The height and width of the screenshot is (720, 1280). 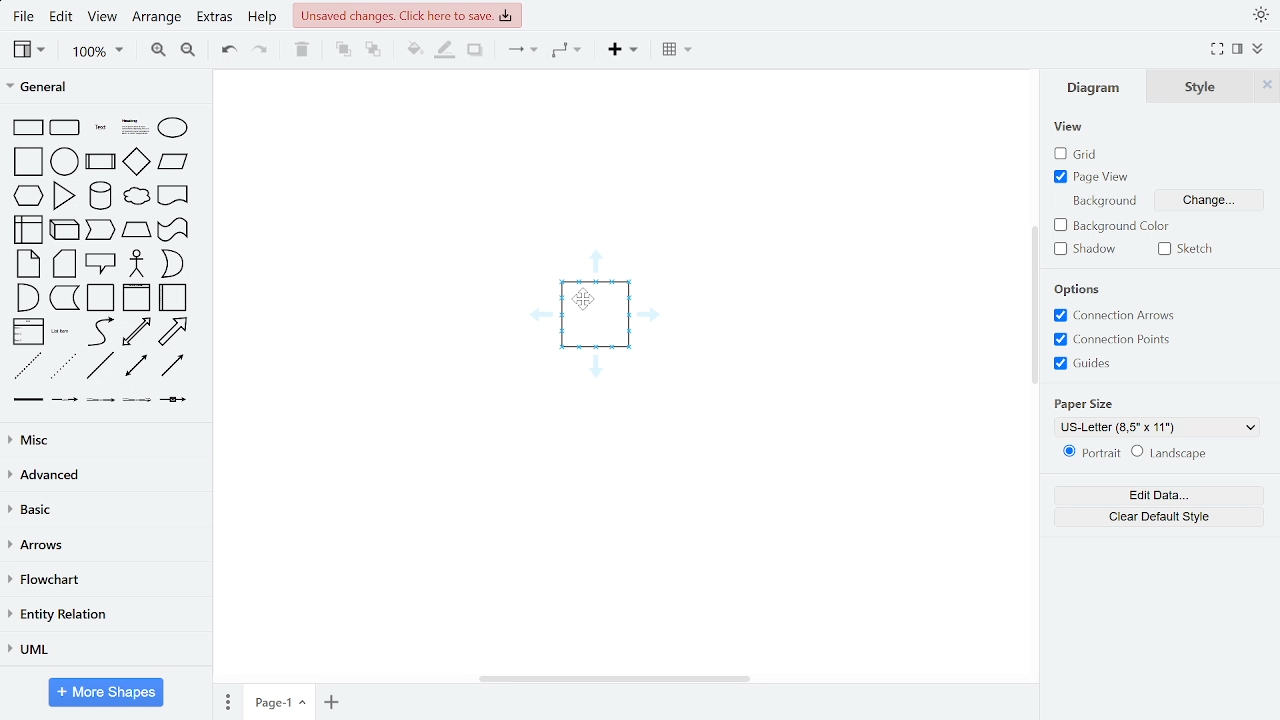 I want to click on change background, so click(x=1220, y=202).